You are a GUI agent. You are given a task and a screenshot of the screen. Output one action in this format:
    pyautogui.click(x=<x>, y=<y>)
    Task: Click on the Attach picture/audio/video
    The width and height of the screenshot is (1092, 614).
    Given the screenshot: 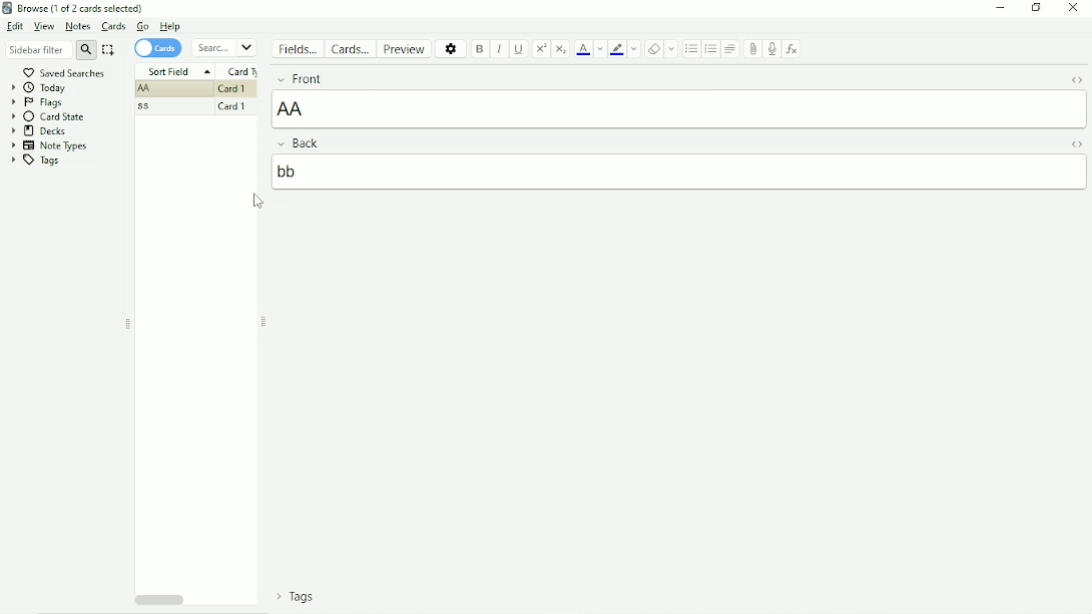 What is the action you would take?
    pyautogui.click(x=754, y=49)
    